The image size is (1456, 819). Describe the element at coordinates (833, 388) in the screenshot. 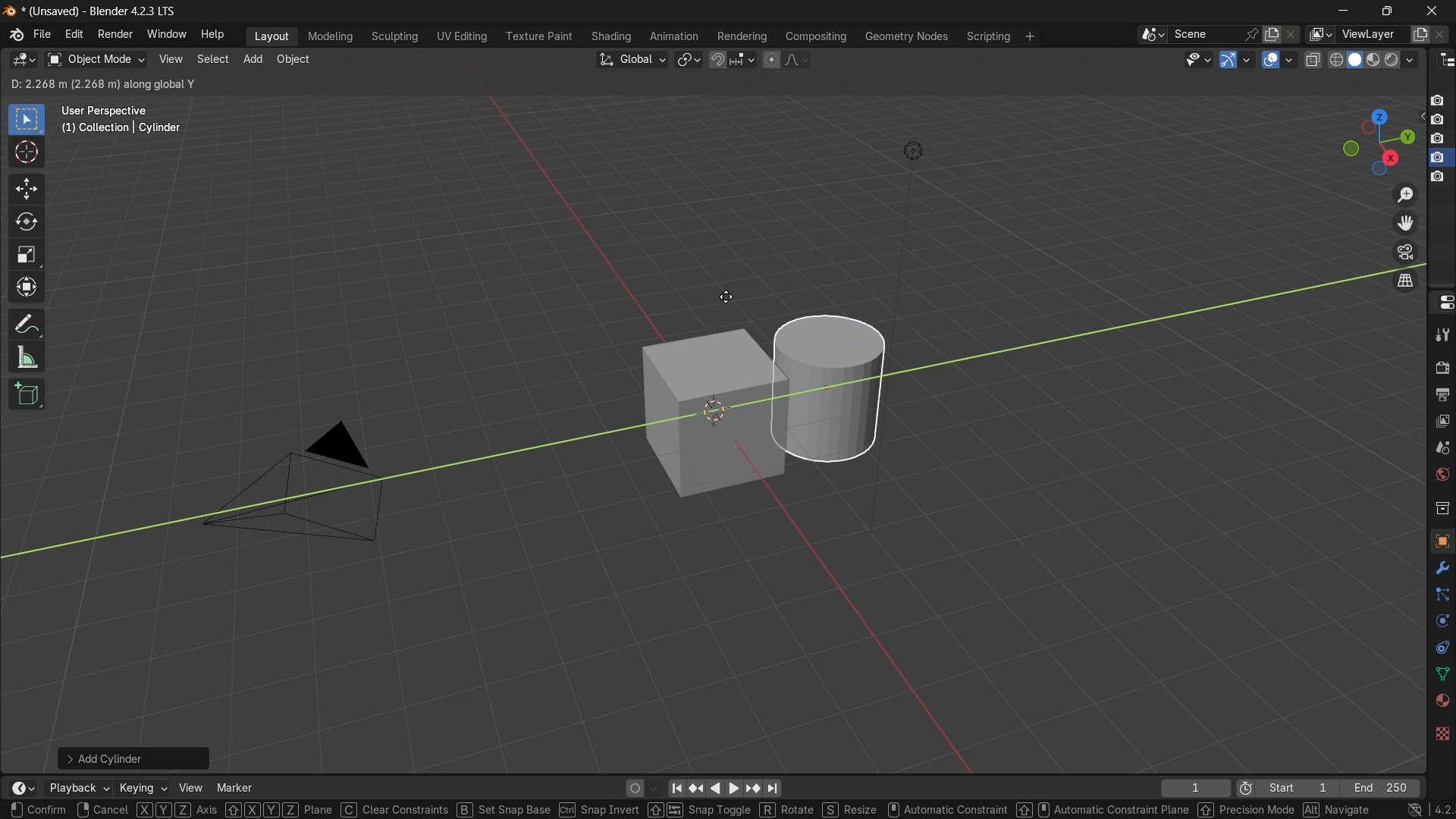

I see `cylinder` at that location.